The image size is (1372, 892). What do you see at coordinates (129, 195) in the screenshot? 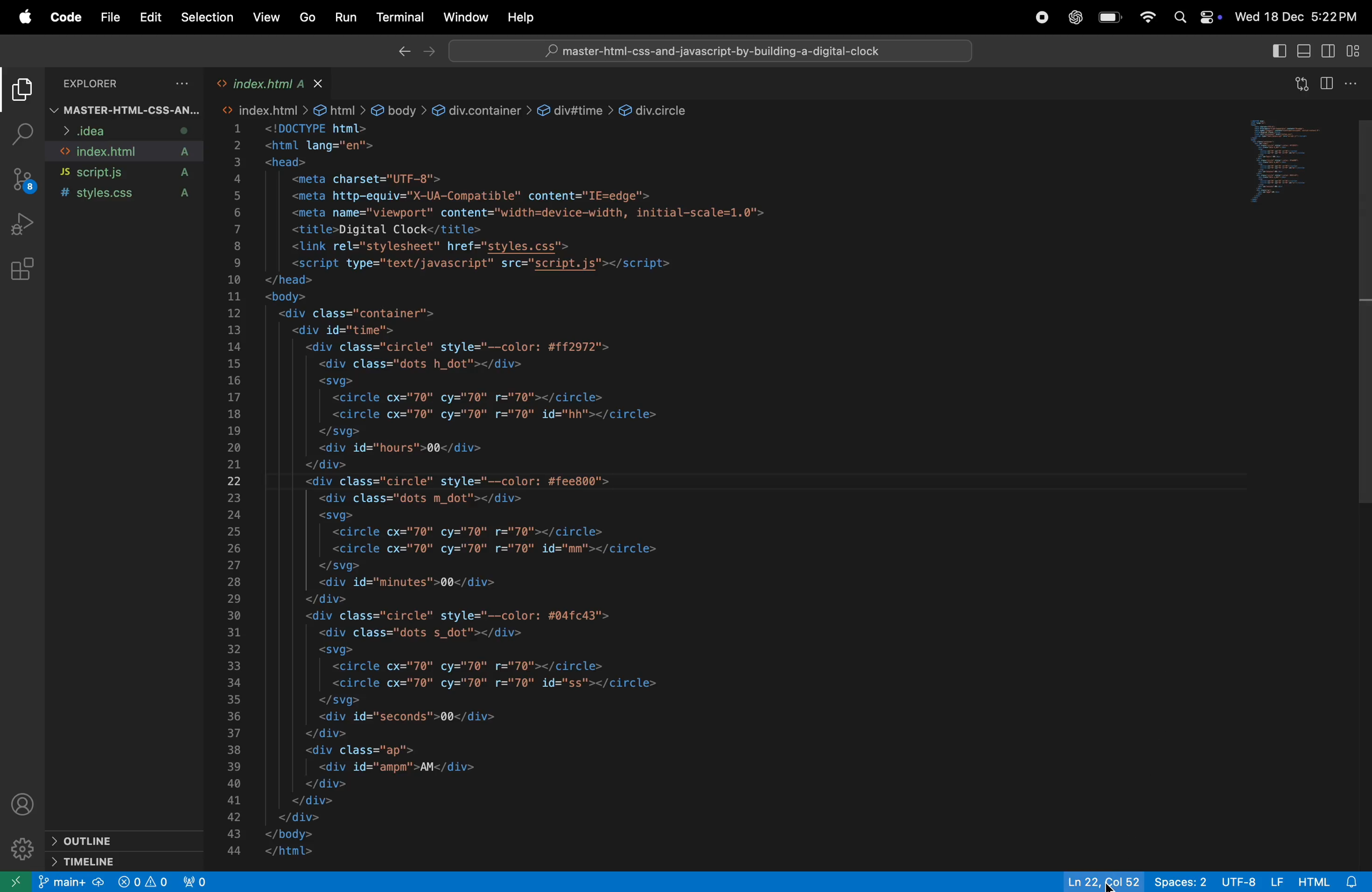
I see `style.css` at bounding box center [129, 195].